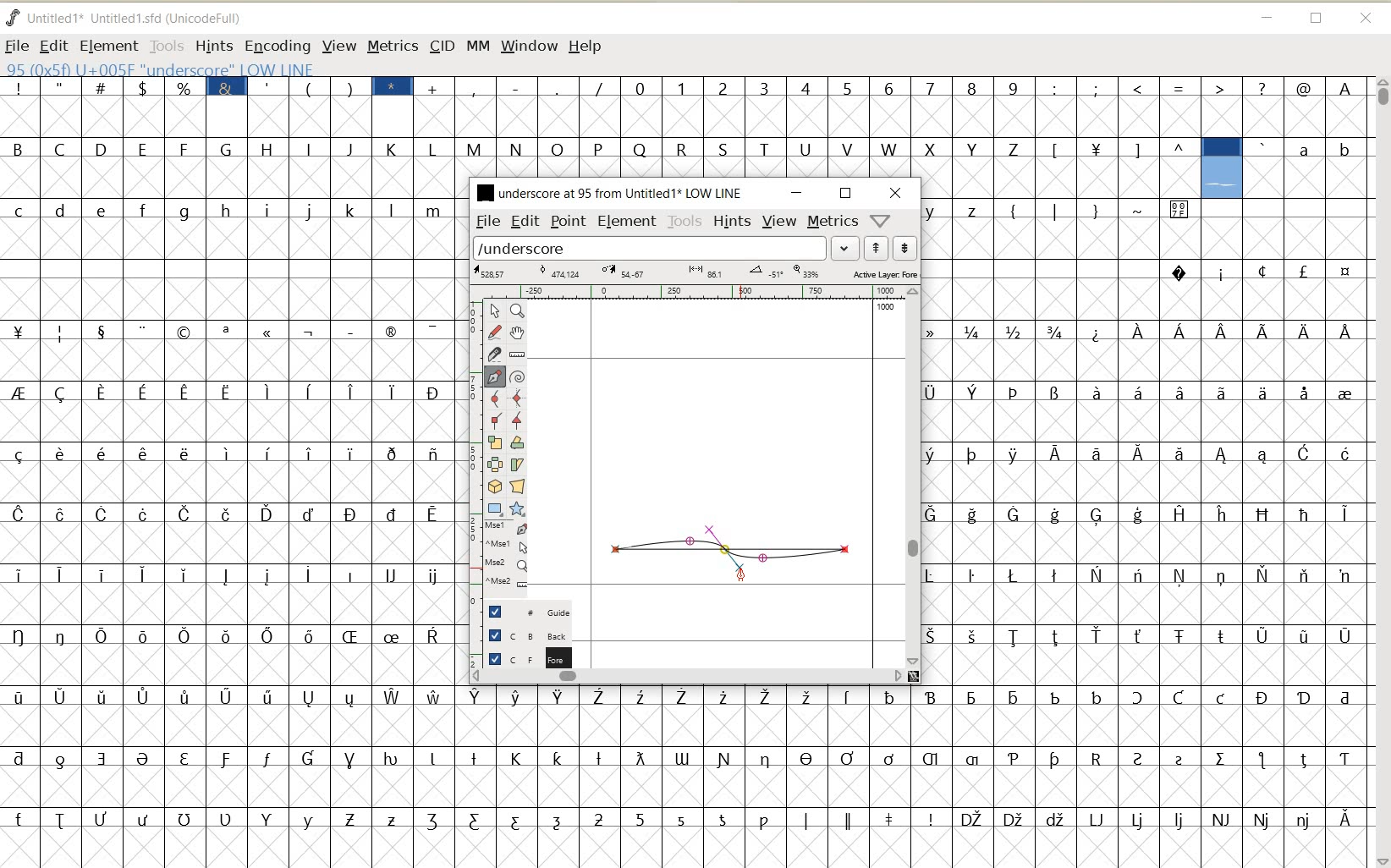  What do you see at coordinates (518, 420) in the screenshot?
I see `Add a corner point` at bounding box center [518, 420].